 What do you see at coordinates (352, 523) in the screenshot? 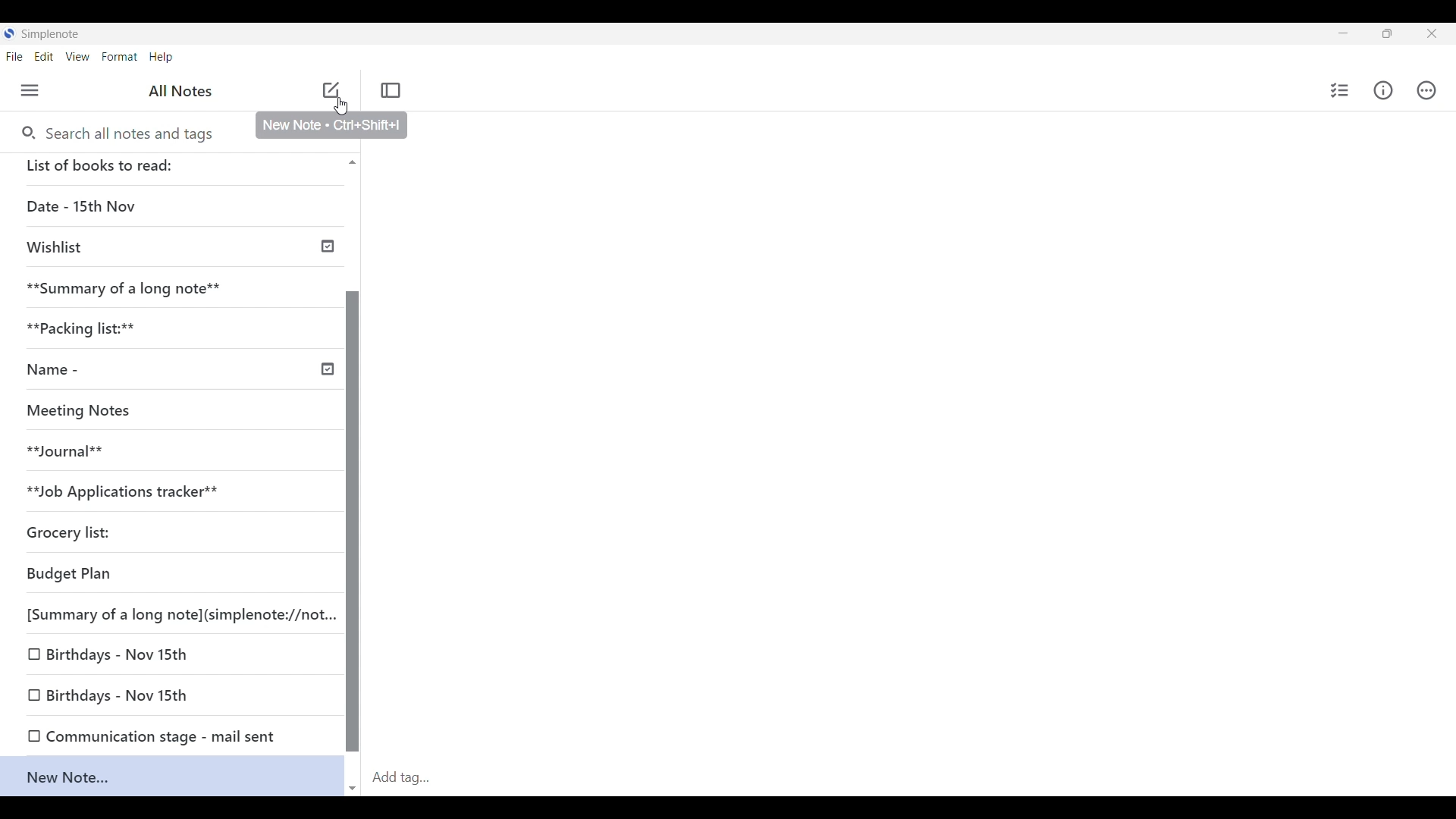
I see `Scroll bar` at bounding box center [352, 523].